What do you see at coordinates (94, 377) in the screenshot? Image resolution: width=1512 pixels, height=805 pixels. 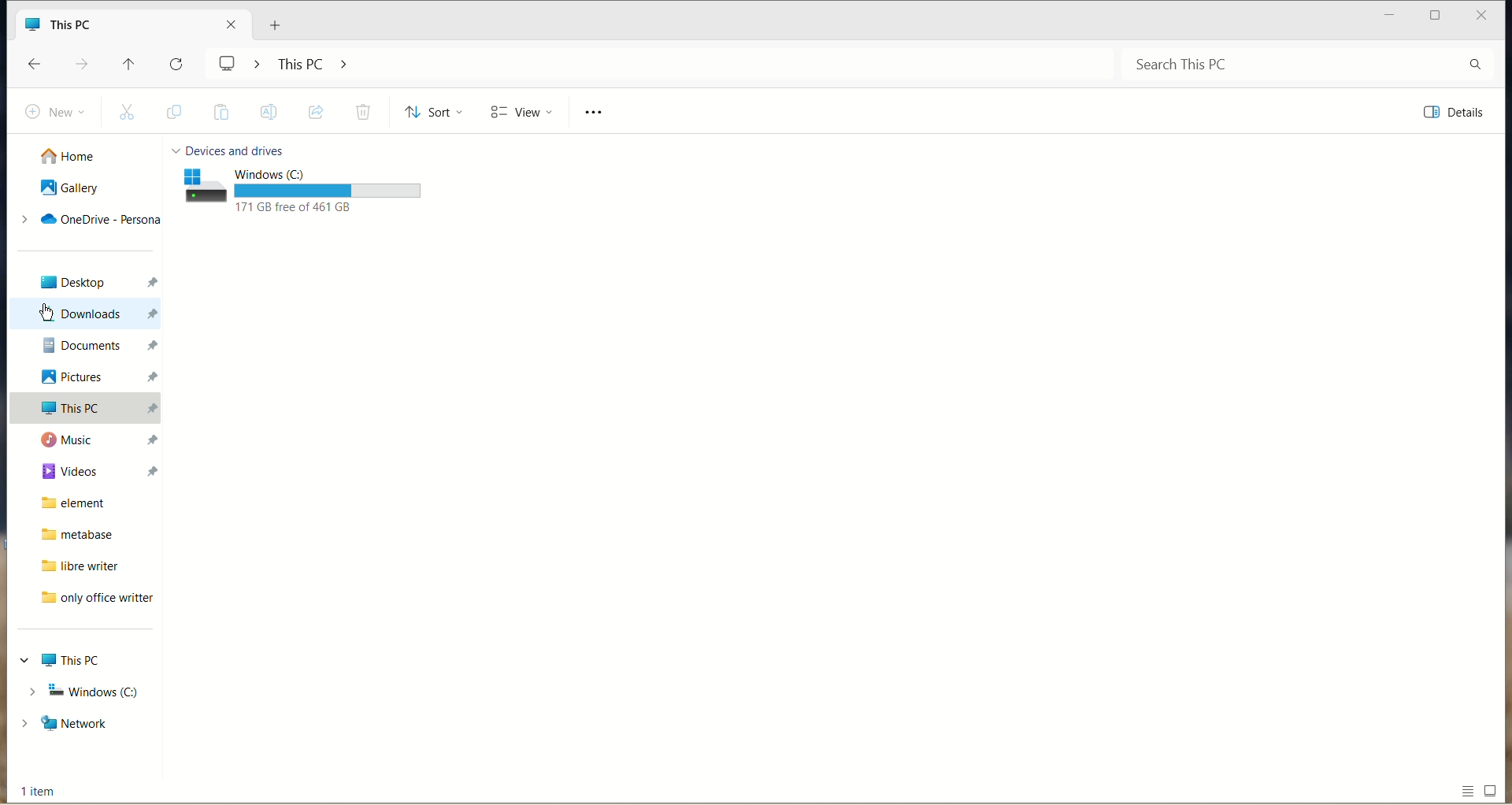 I see `pictures` at bounding box center [94, 377].